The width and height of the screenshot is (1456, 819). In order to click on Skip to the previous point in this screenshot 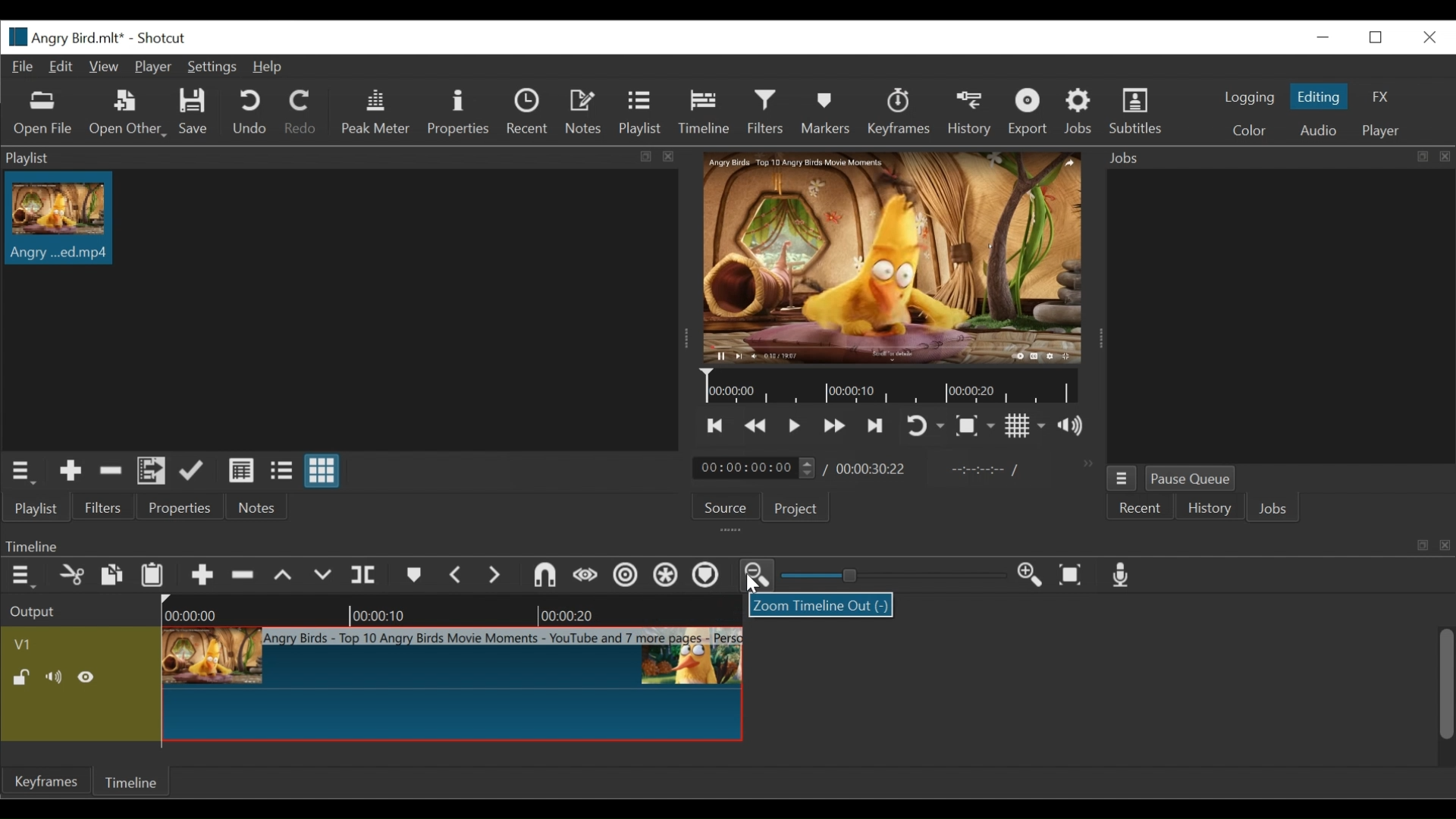, I will do `click(717, 427)`.